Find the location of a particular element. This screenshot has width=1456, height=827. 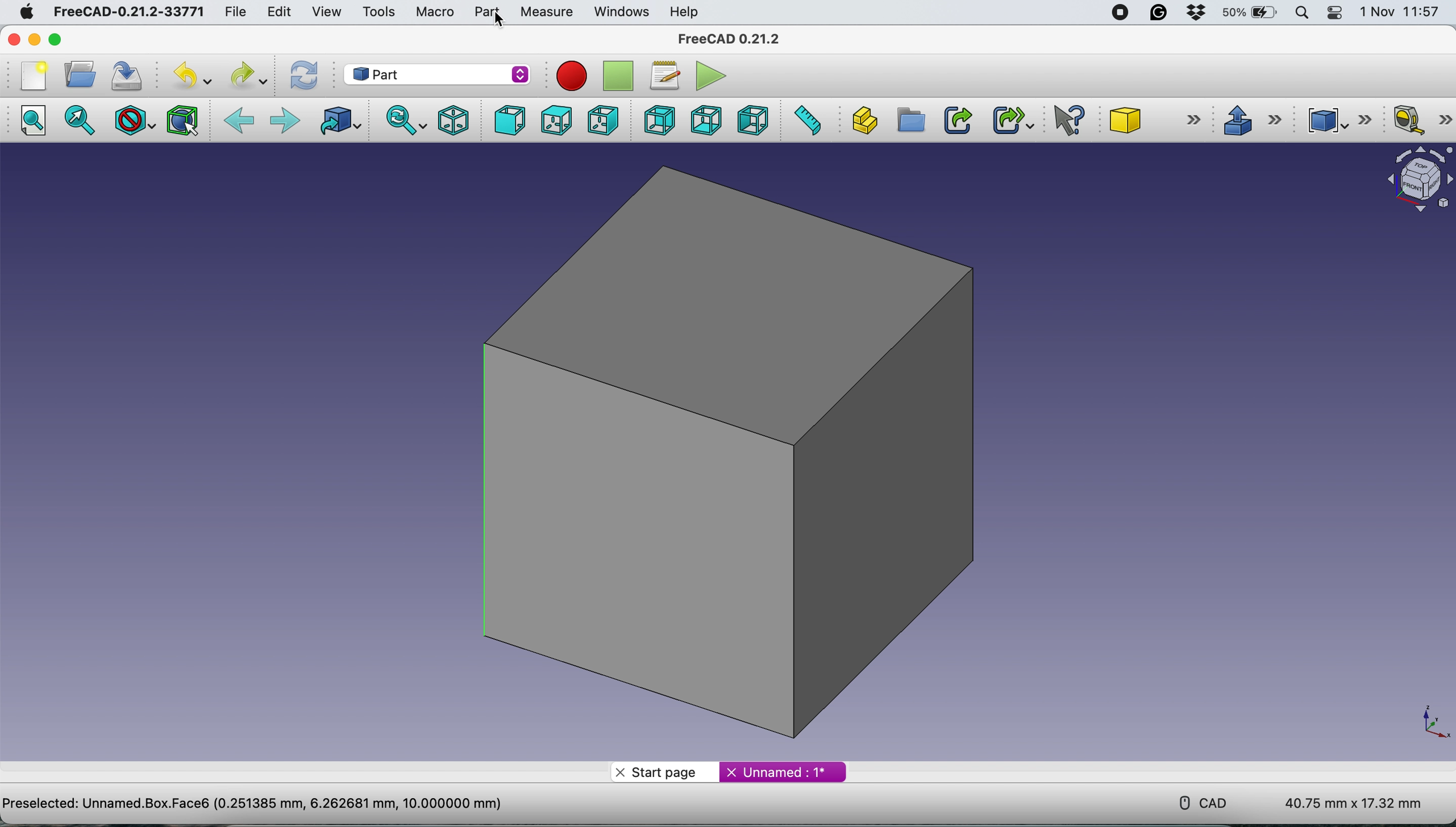

open is located at coordinates (78, 75).